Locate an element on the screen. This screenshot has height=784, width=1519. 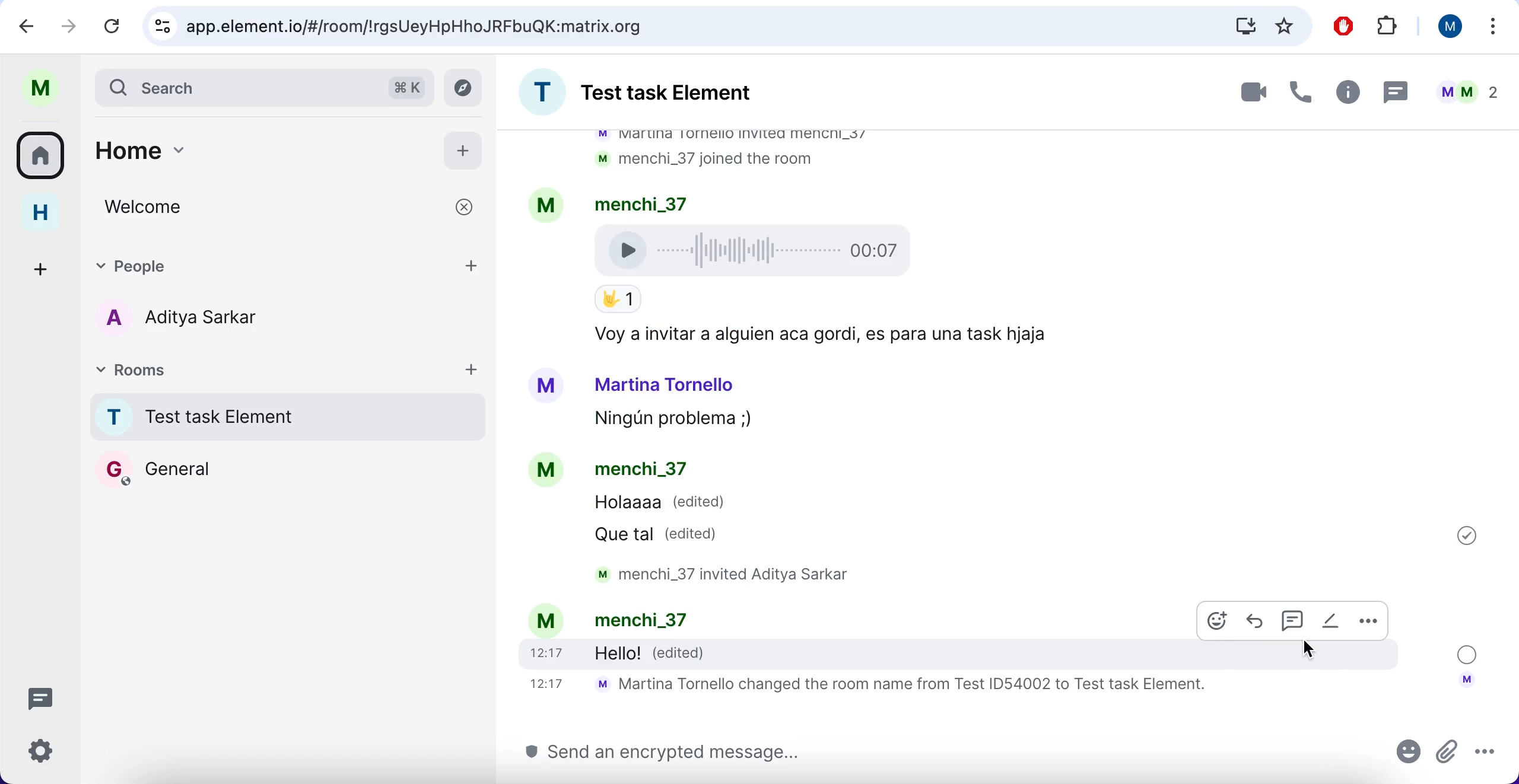
message is located at coordinates (1397, 93).